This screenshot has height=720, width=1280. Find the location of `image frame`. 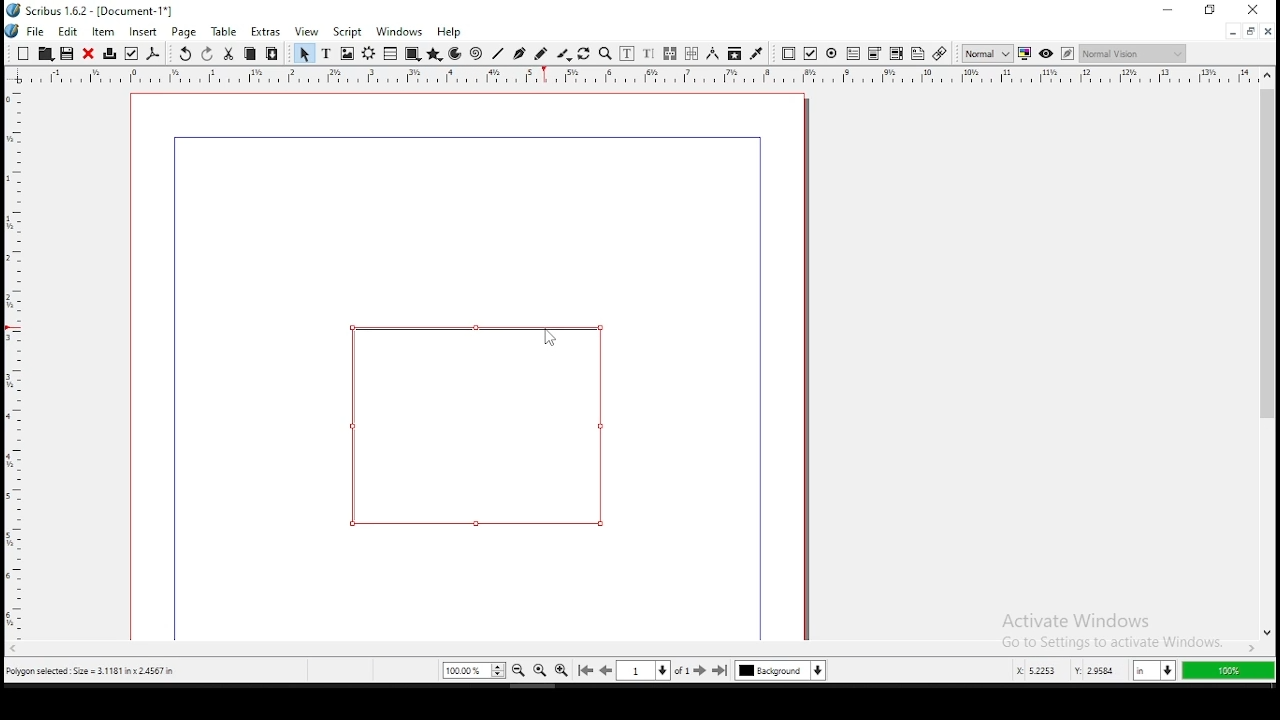

image frame is located at coordinates (347, 53).